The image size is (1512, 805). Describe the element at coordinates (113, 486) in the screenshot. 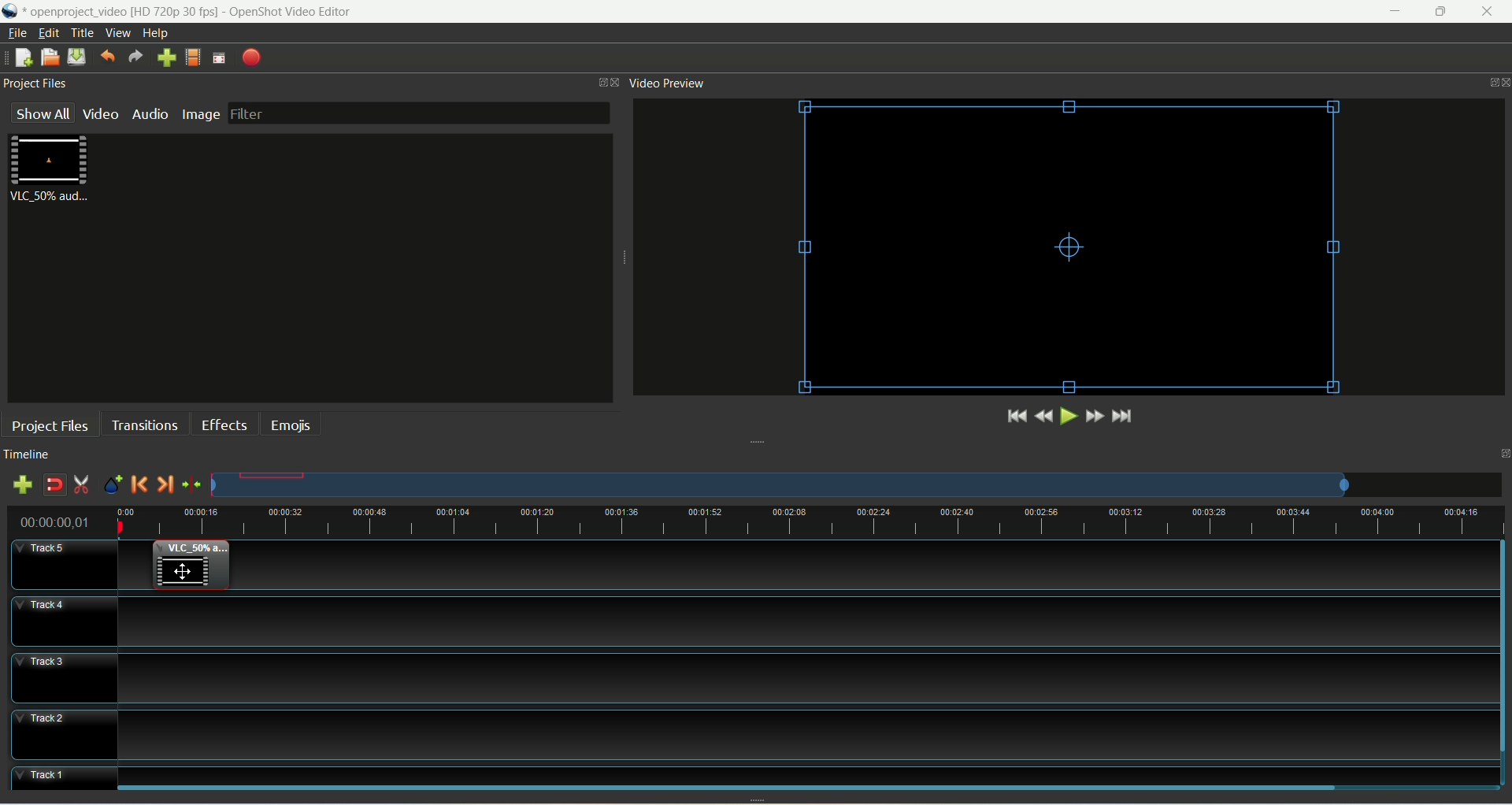

I see `add marker` at that location.